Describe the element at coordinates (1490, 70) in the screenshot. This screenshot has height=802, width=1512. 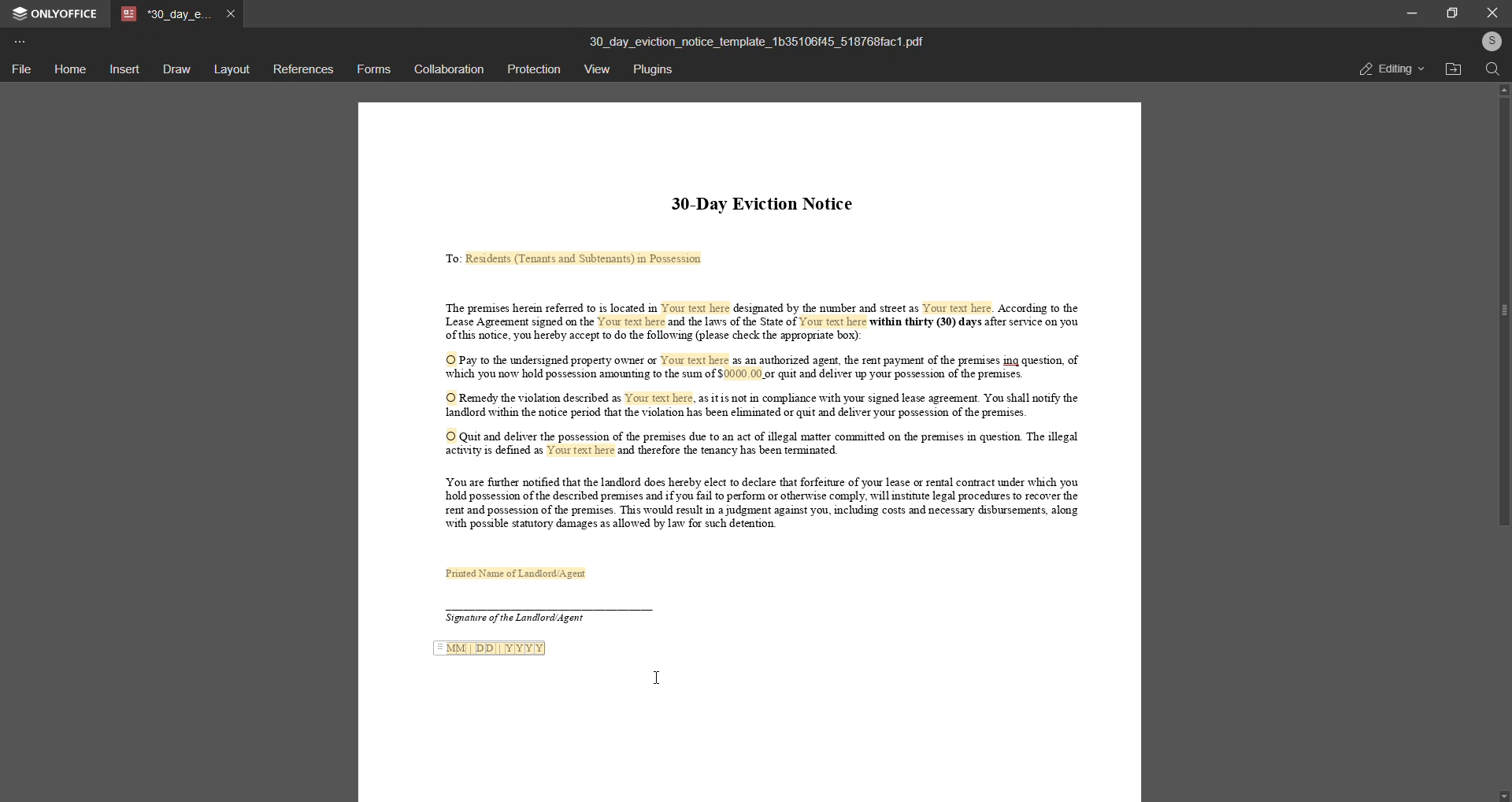
I see `search` at that location.